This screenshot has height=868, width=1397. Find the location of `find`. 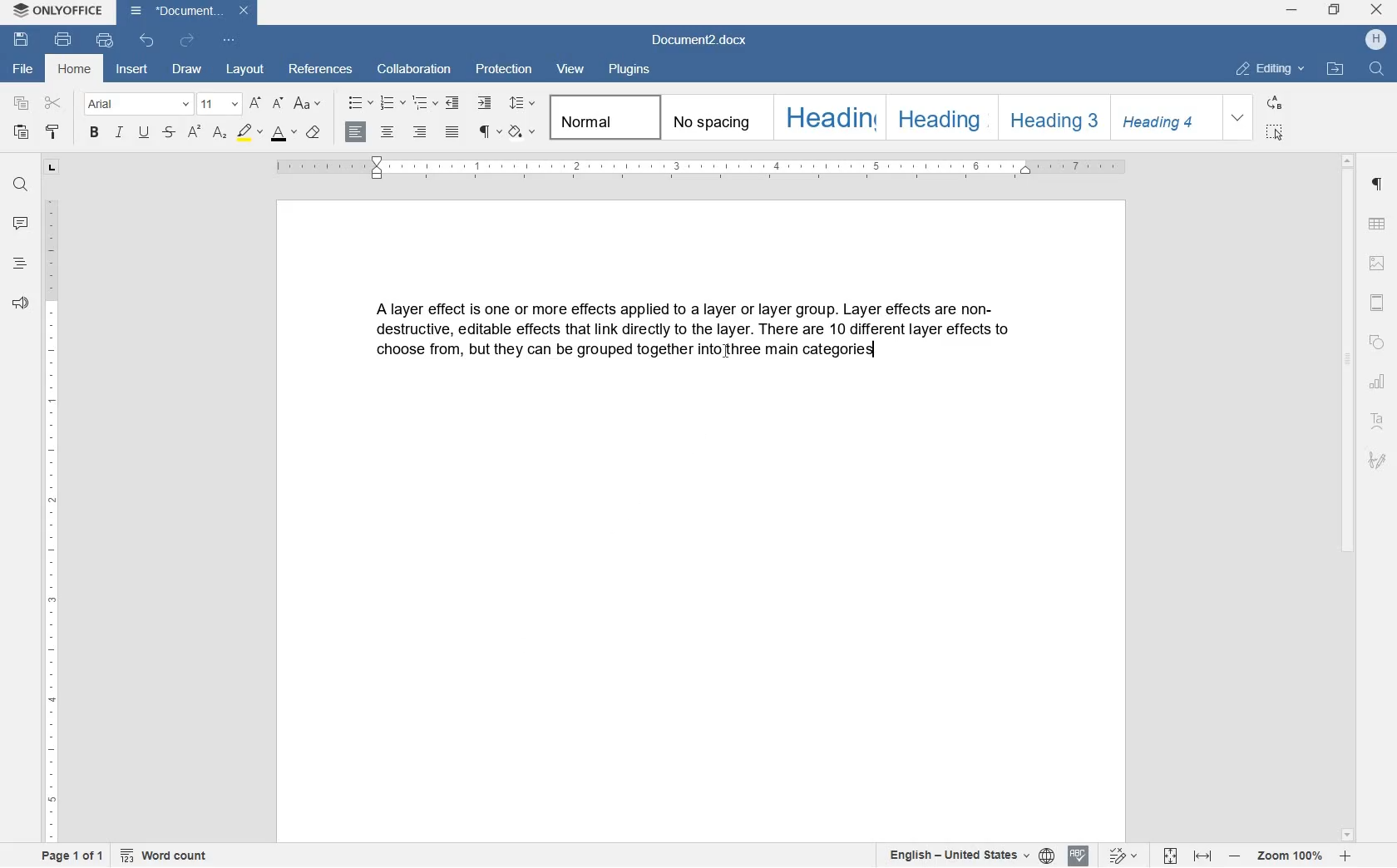

find is located at coordinates (1375, 69).